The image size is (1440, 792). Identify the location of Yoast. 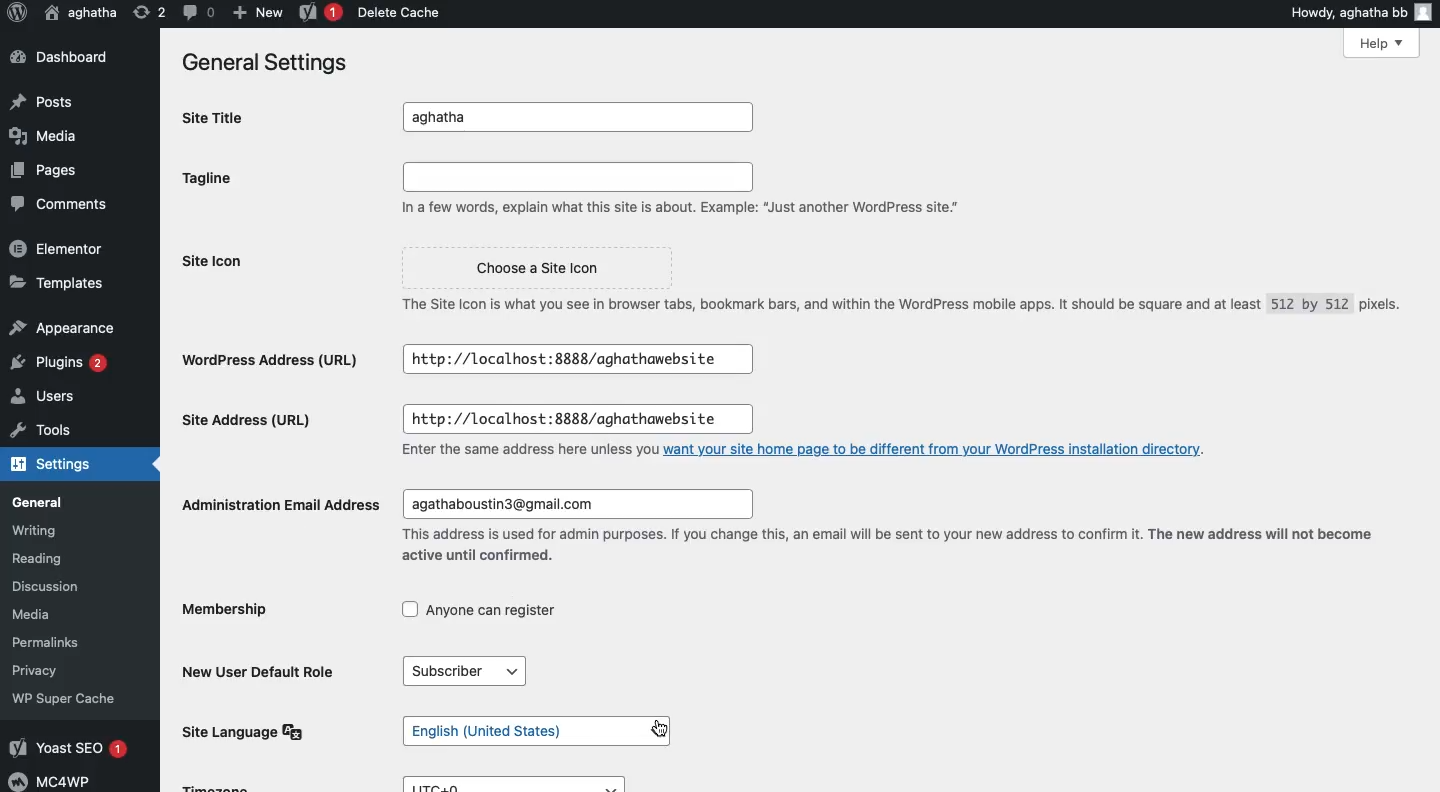
(321, 11).